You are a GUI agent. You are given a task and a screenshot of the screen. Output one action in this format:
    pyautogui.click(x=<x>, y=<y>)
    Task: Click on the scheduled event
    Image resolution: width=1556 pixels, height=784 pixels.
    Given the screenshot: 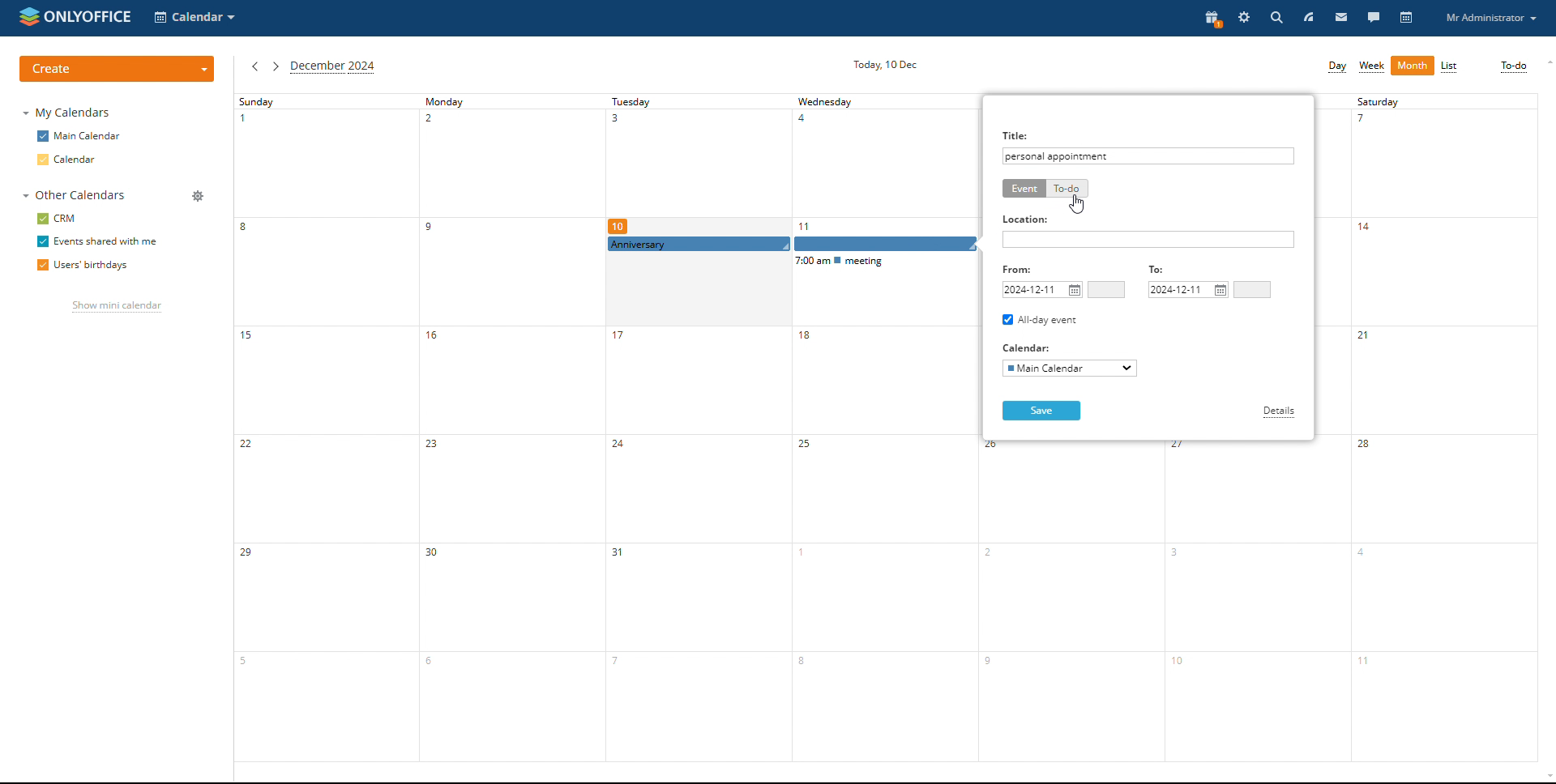 What is the action you would take?
    pyautogui.click(x=794, y=245)
    